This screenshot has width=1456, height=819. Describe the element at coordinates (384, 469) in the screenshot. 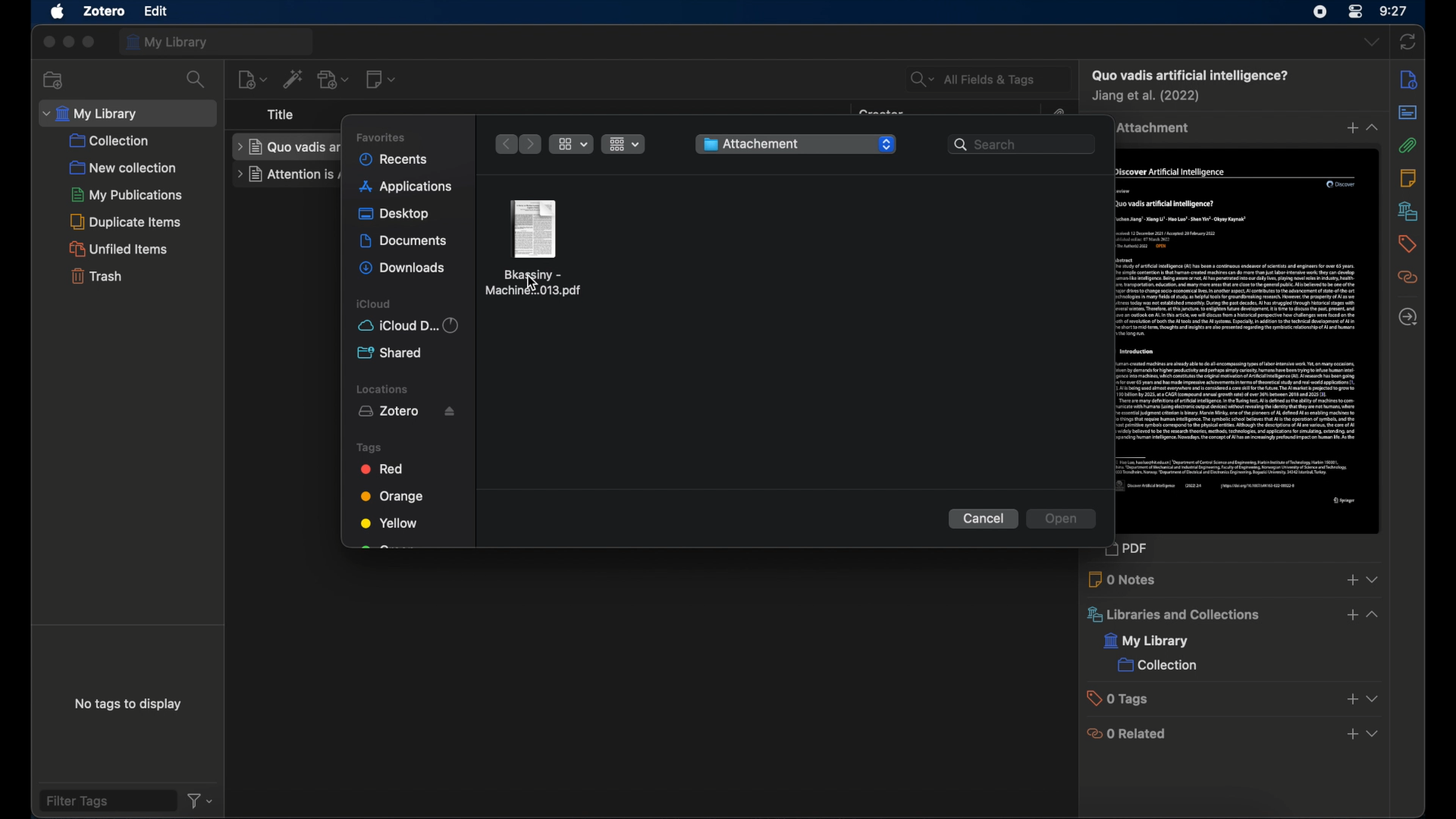

I see `red` at that location.